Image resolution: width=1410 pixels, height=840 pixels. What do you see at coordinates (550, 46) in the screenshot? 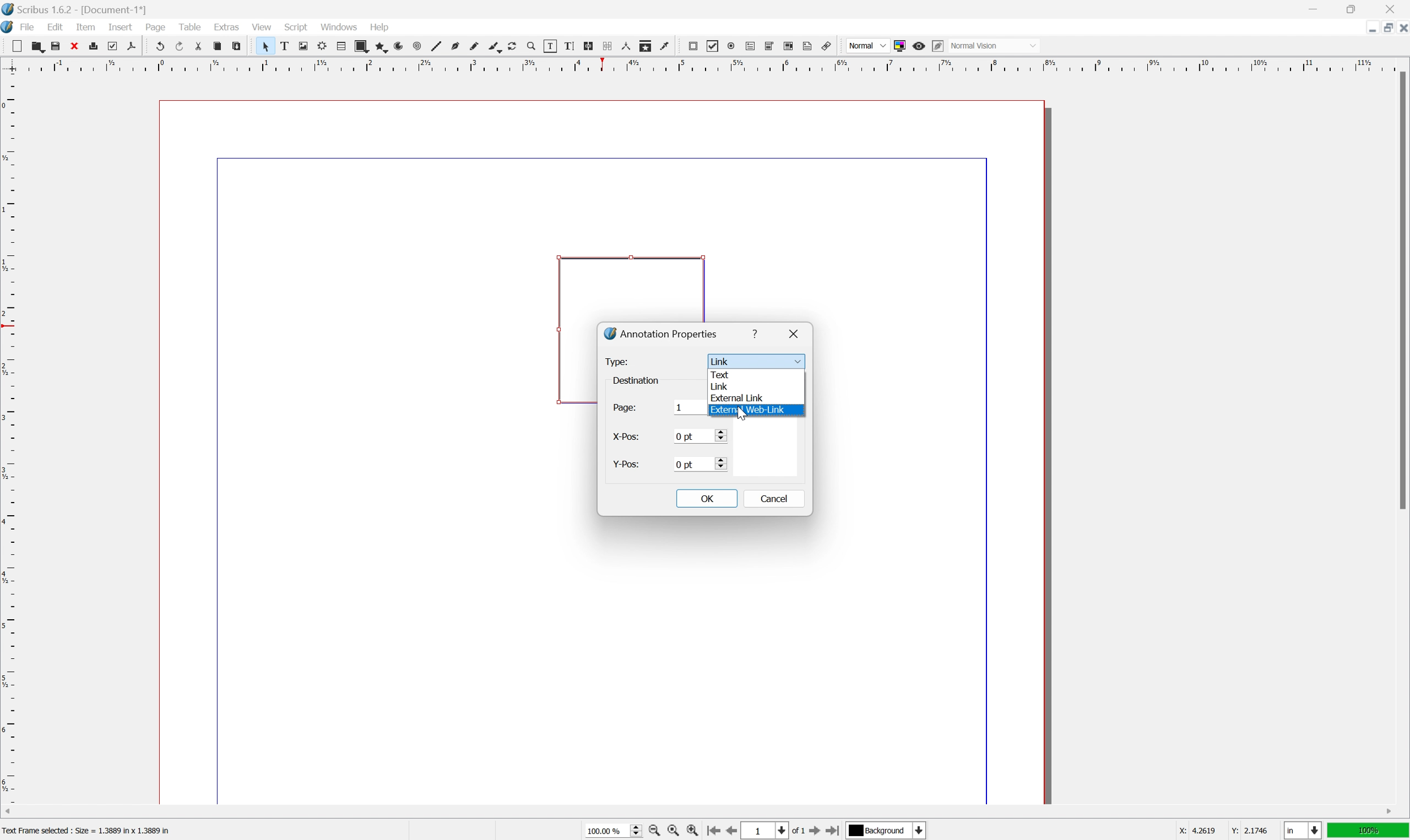
I see `edit contents of frame` at bounding box center [550, 46].